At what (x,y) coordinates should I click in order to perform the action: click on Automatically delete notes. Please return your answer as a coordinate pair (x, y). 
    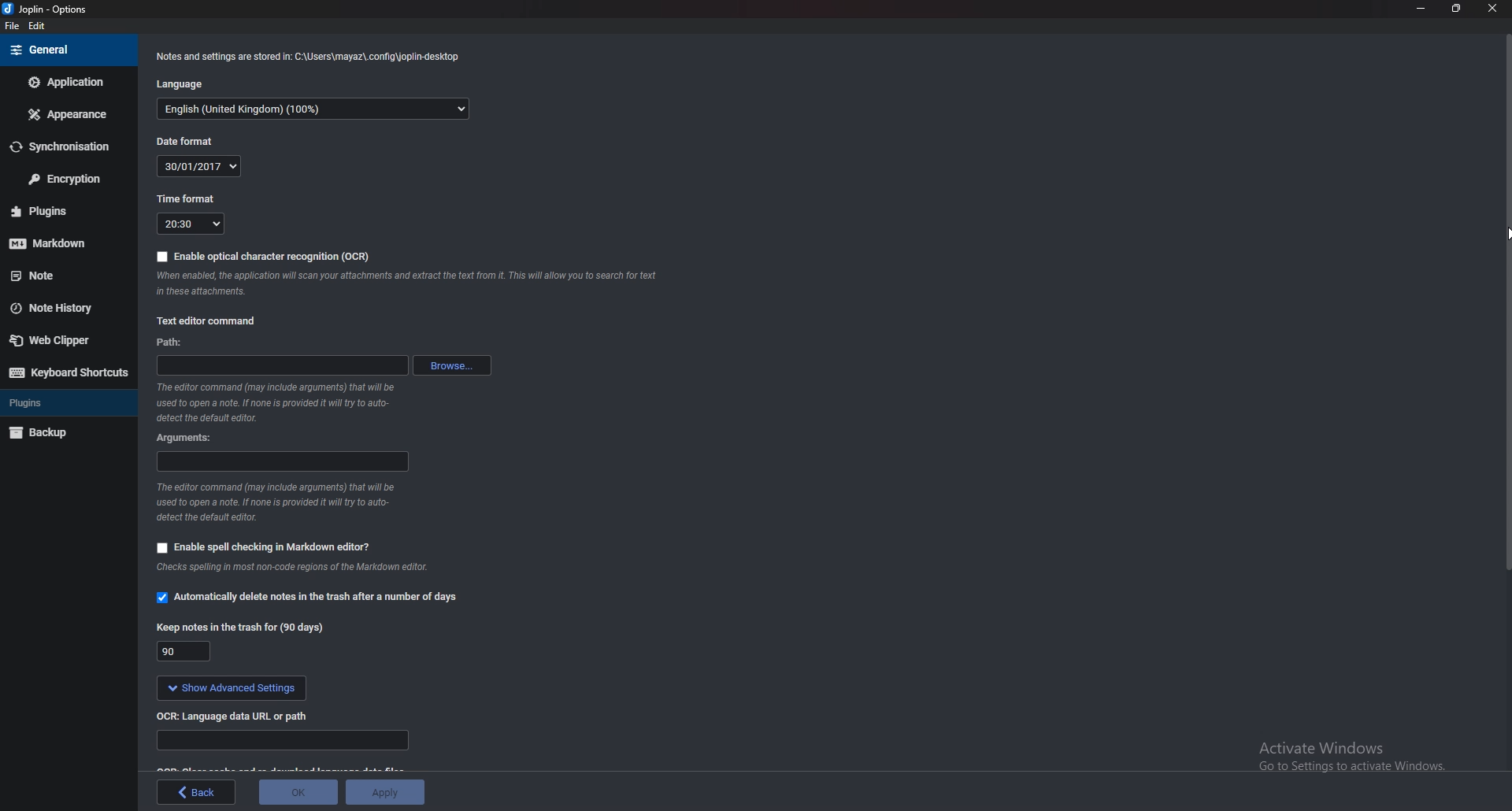
    Looking at the image, I should click on (306, 600).